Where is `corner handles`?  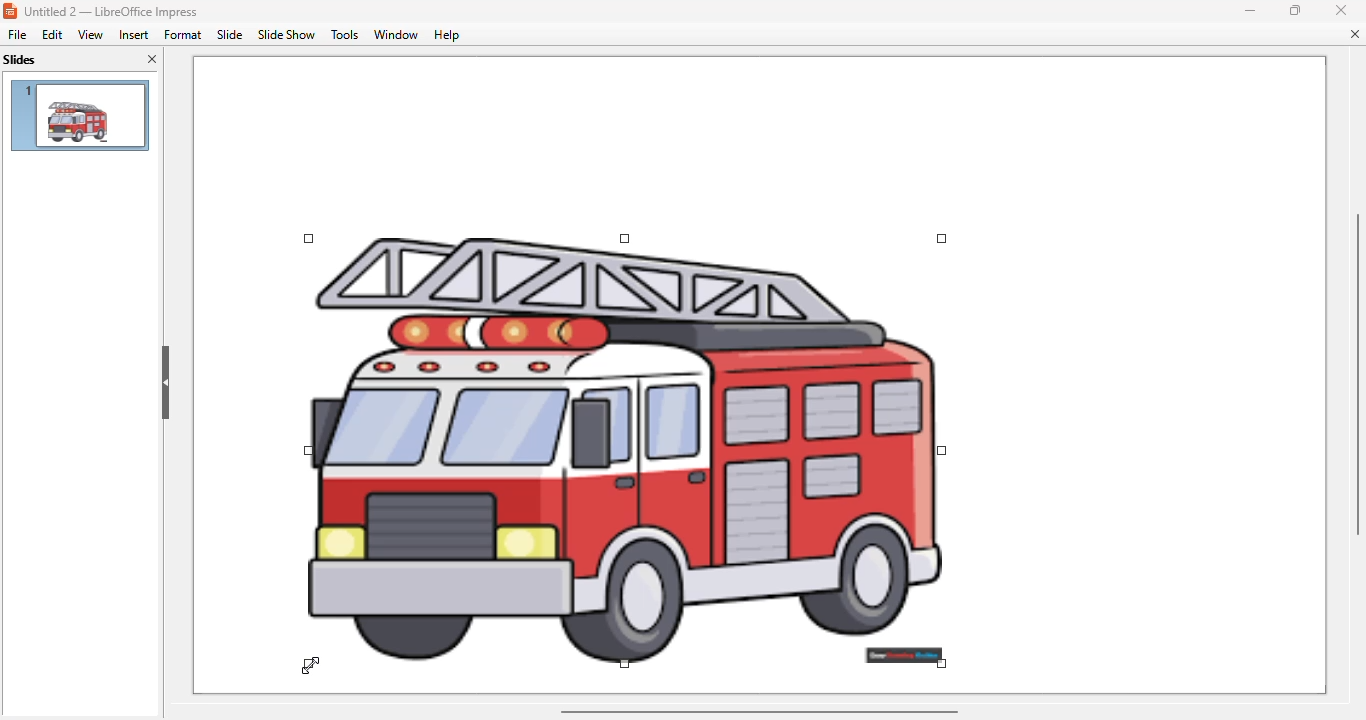 corner handles is located at coordinates (943, 451).